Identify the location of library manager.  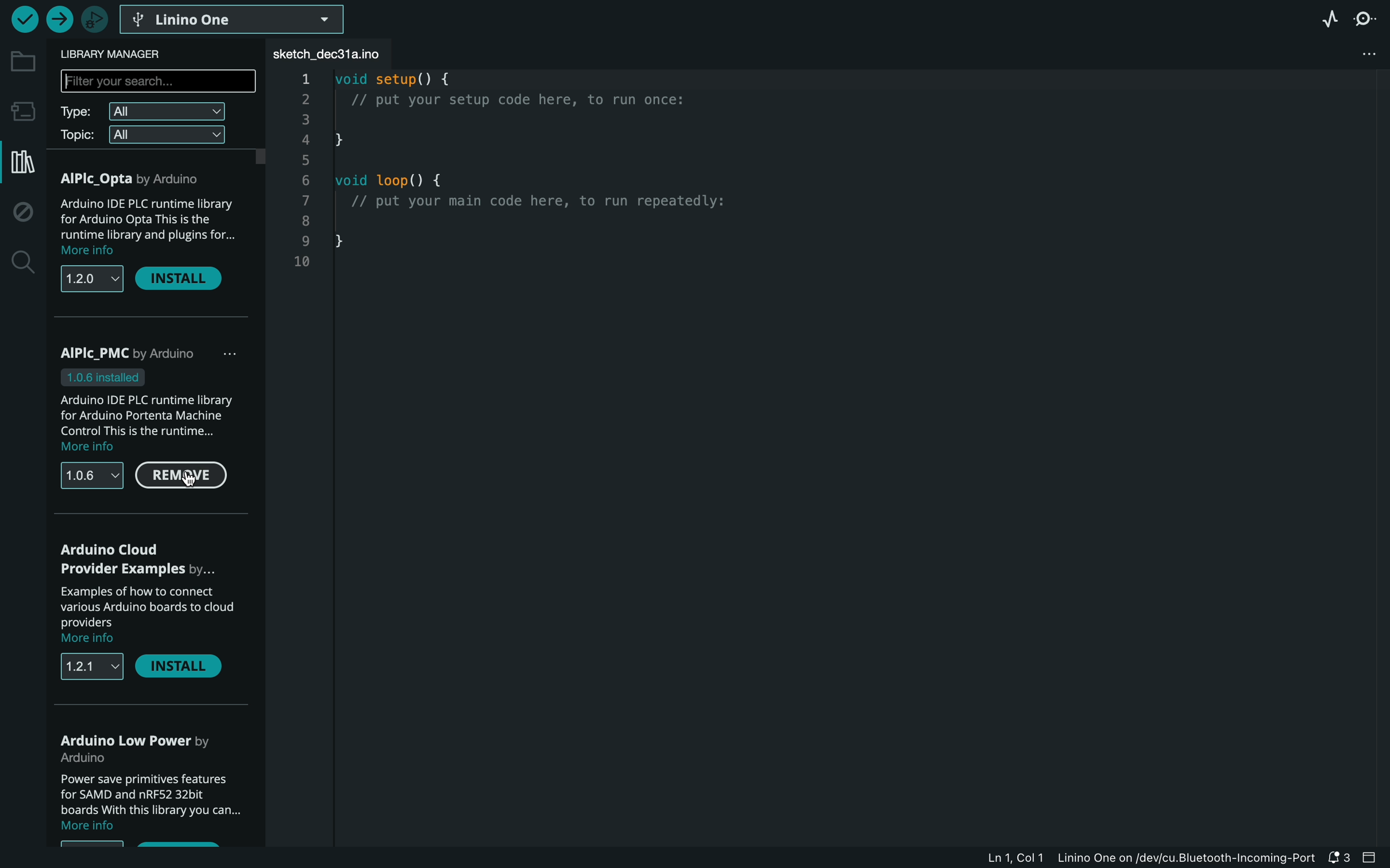
(123, 55).